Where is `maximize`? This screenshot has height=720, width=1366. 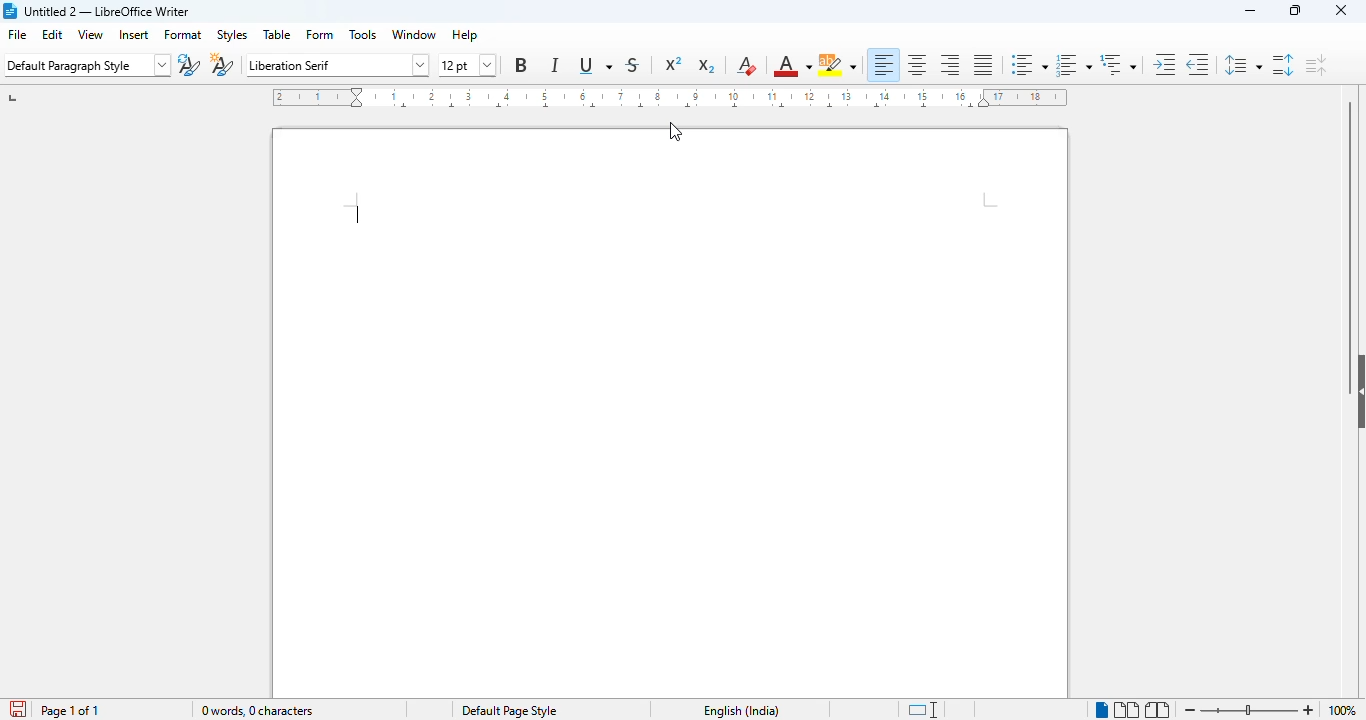 maximize is located at coordinates (1295, 10).